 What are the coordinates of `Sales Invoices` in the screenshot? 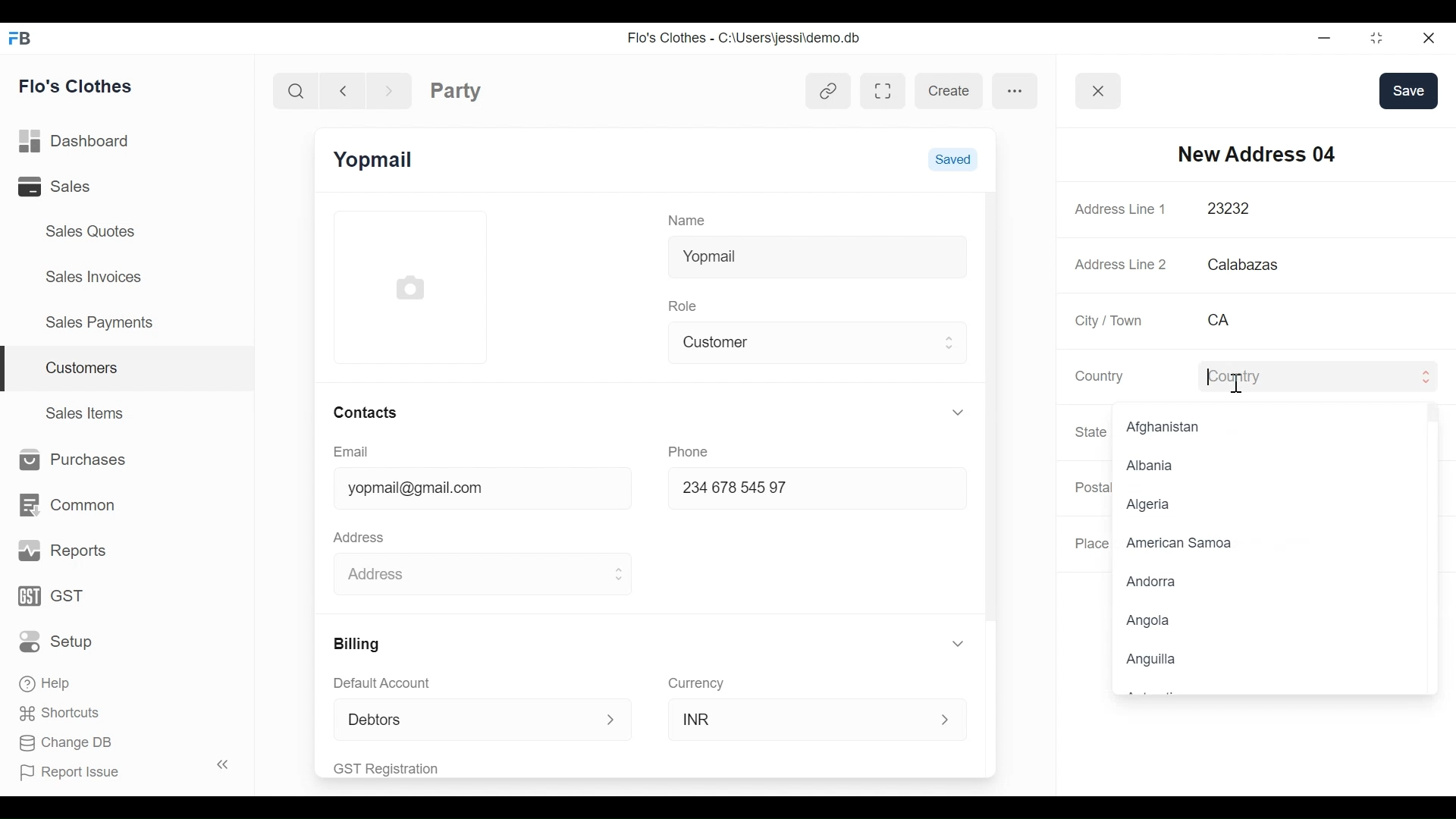 It's located at (96, 275).